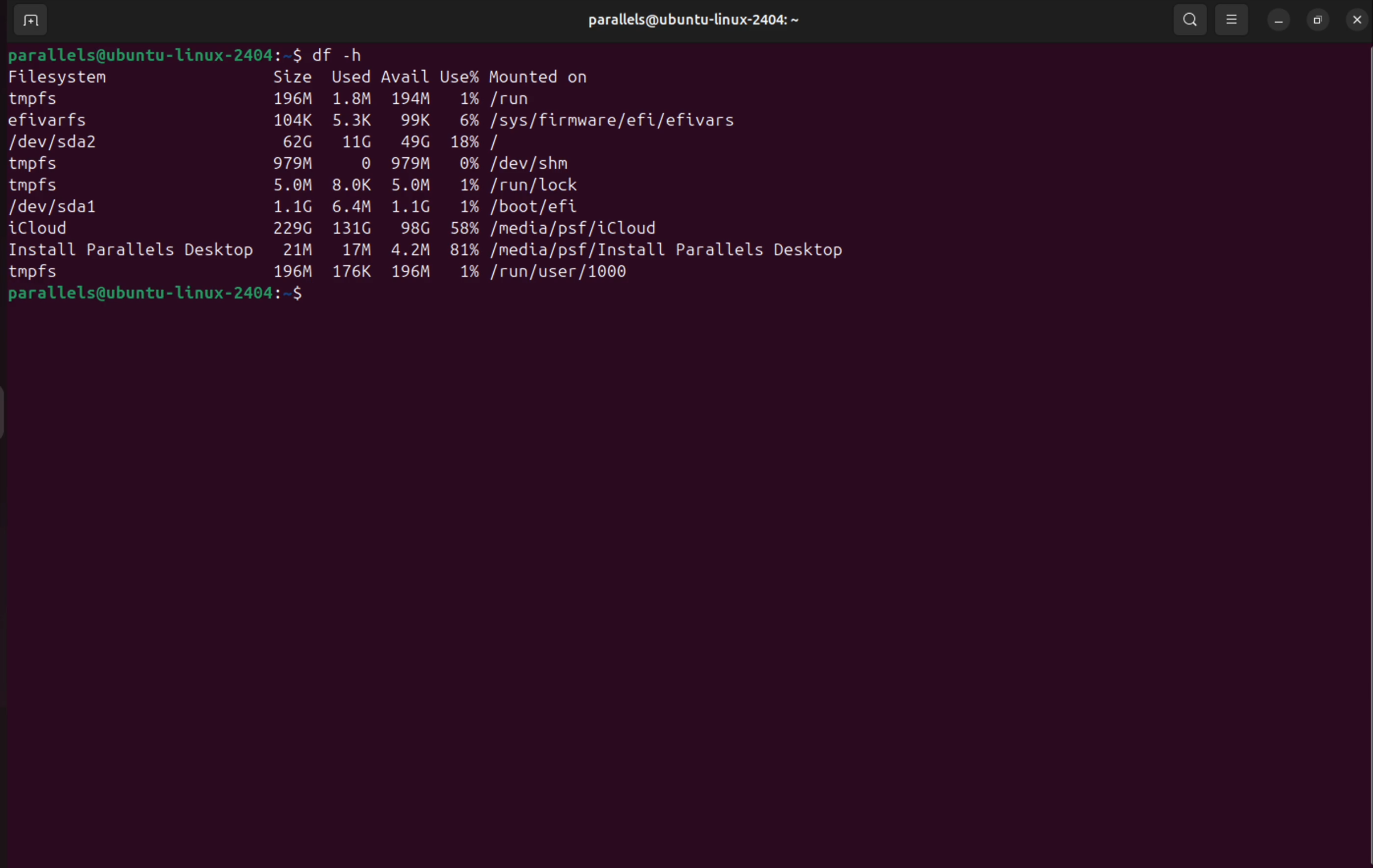 The image size is (1373, 868). I want to click on 18%, so click(466, 141).